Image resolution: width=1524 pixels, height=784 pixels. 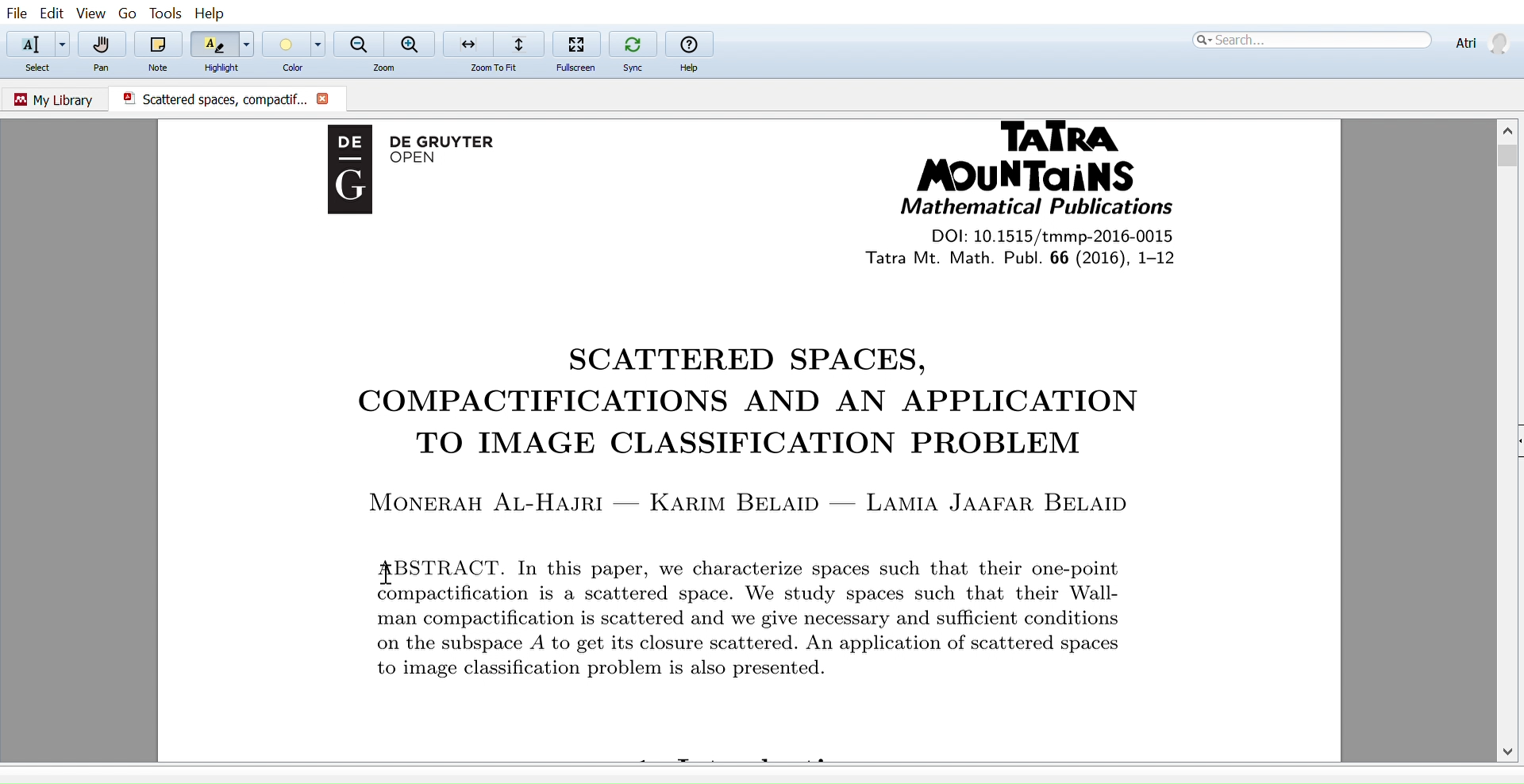 I want to click on man compactification is scattered and we give necessary and sufficient conditions, so click(x=768, y=621).